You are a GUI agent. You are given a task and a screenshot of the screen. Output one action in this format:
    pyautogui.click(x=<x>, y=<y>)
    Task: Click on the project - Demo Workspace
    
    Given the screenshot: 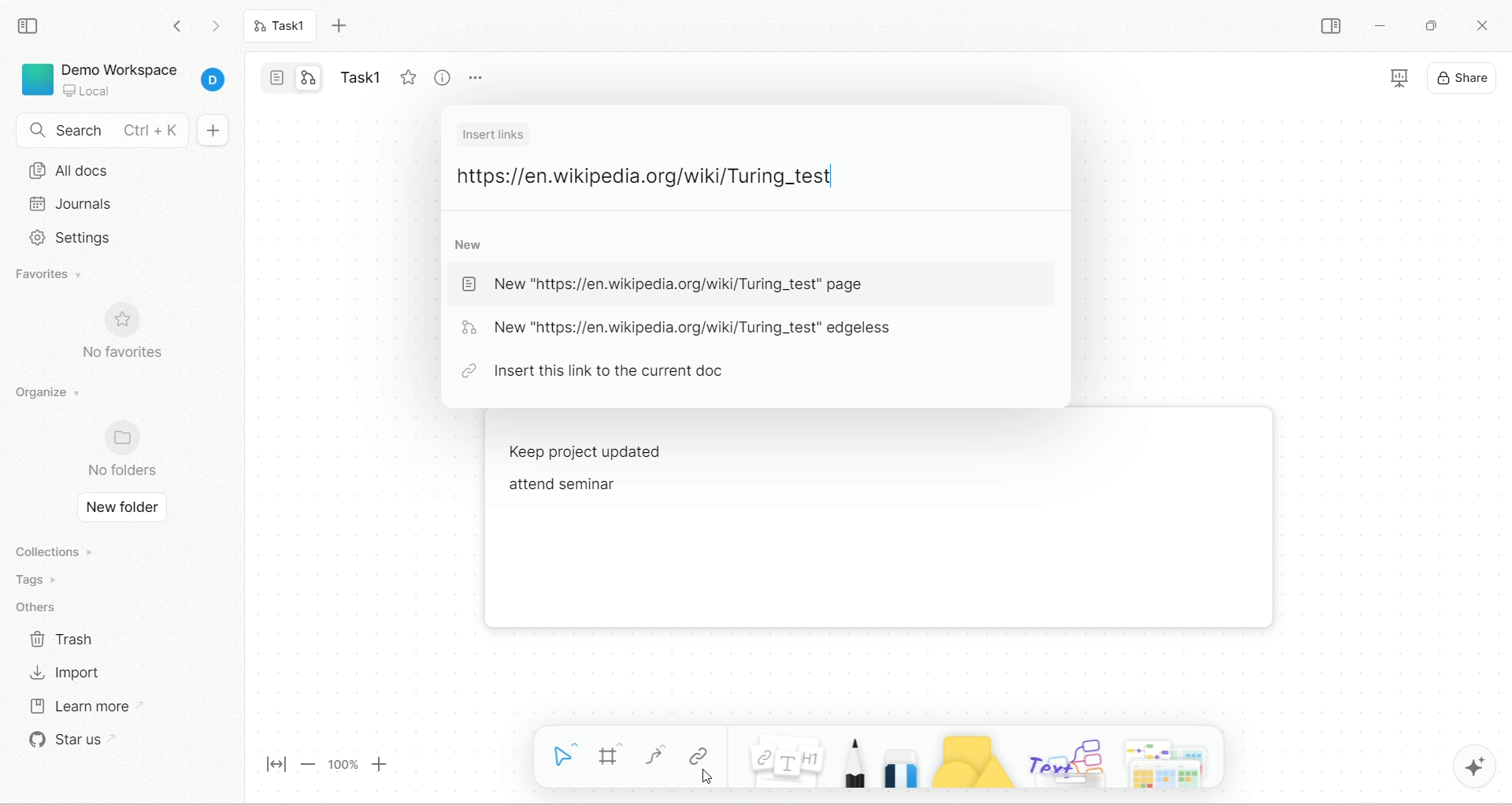 What is the action you would take?
    pyautogui.click(x=124, y=76)
    